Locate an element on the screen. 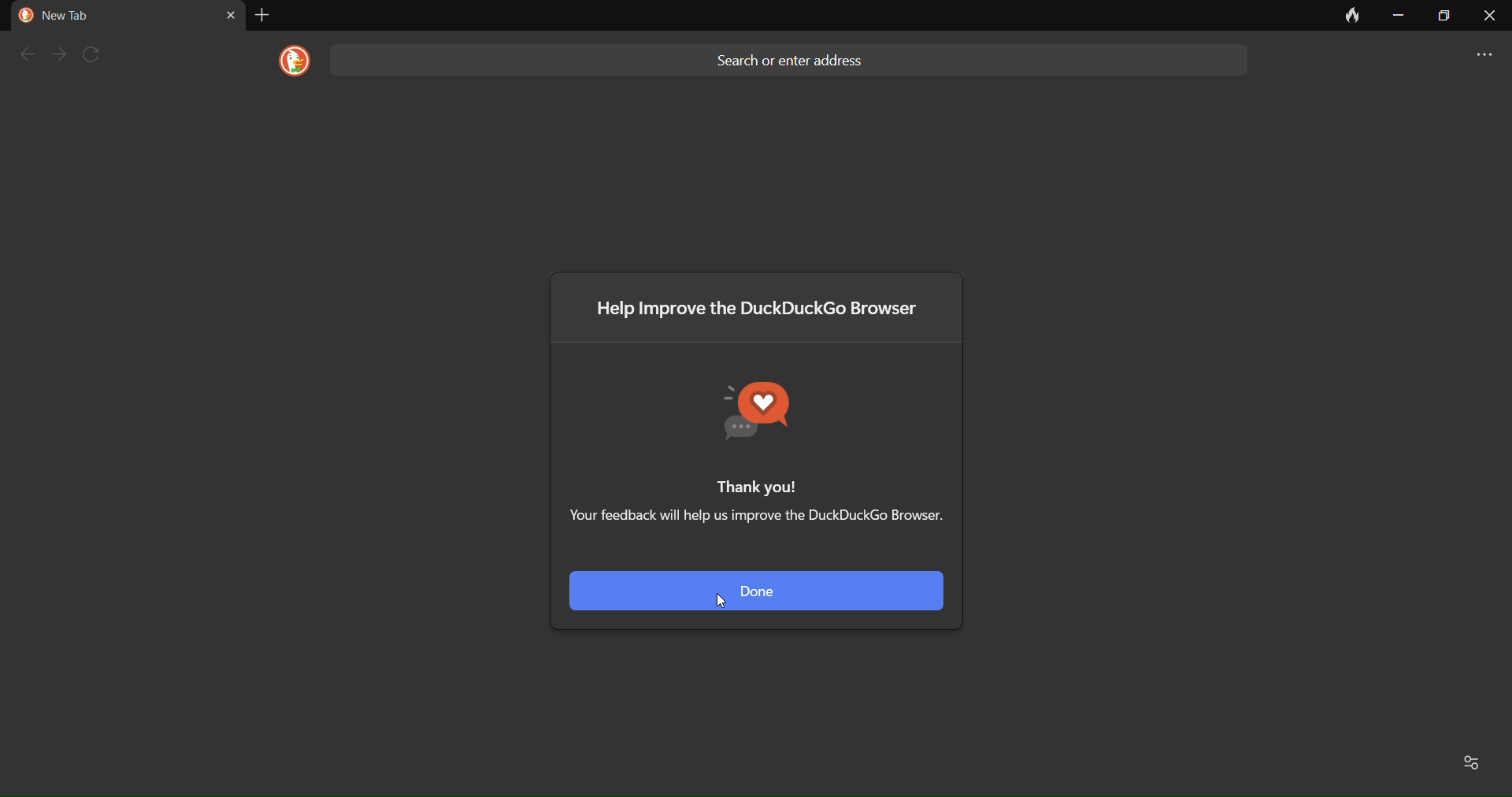 This screenshot has width=1512, height=797. minimize is located at coordinates (1397, 16).